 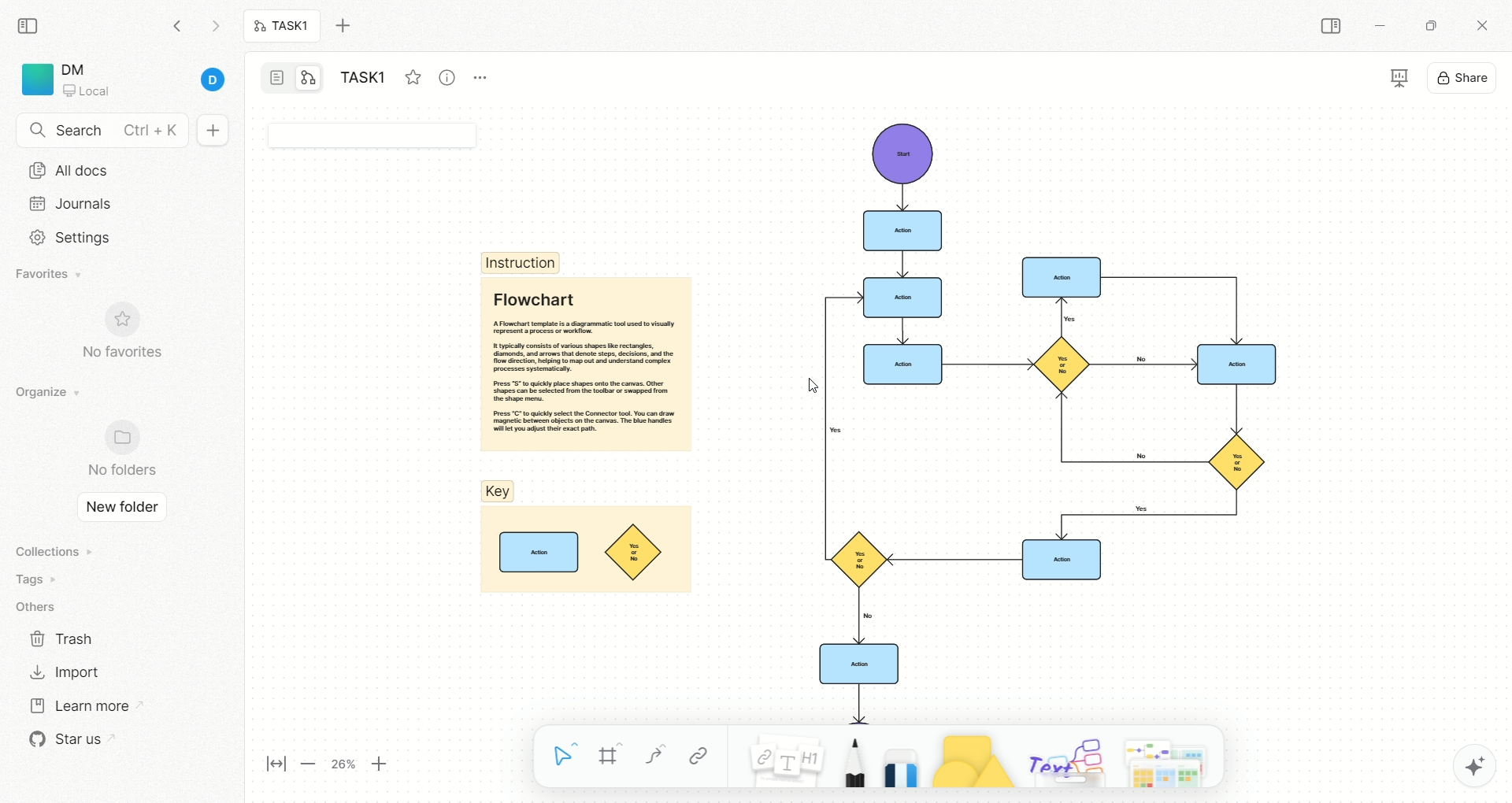 What do you see at coordinates (1023, 416) in the screenshot?
I see `flowchart template` at bounding box center [1023, 416].